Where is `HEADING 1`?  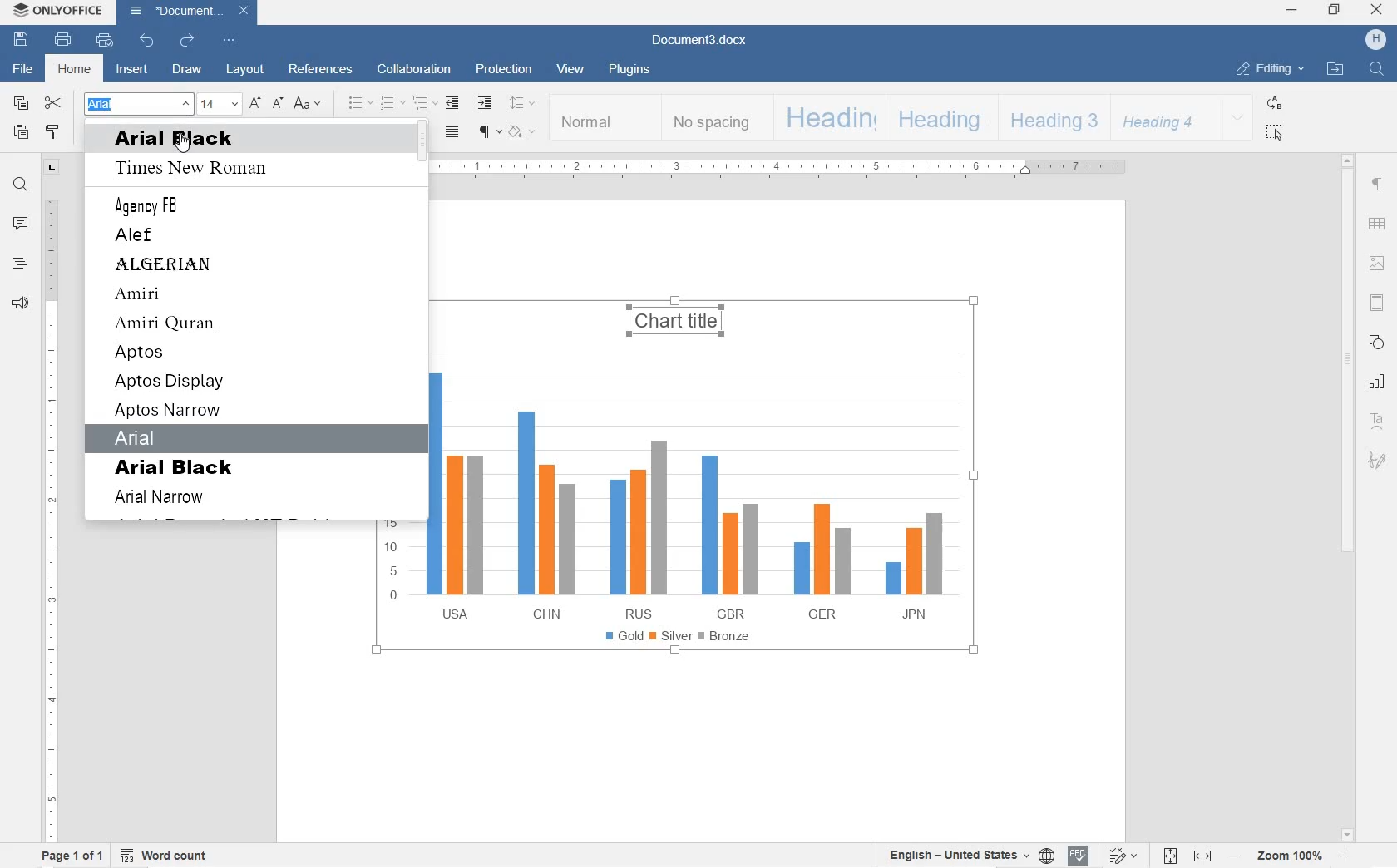 HEADING 1 is located at coordinates (827, 118).